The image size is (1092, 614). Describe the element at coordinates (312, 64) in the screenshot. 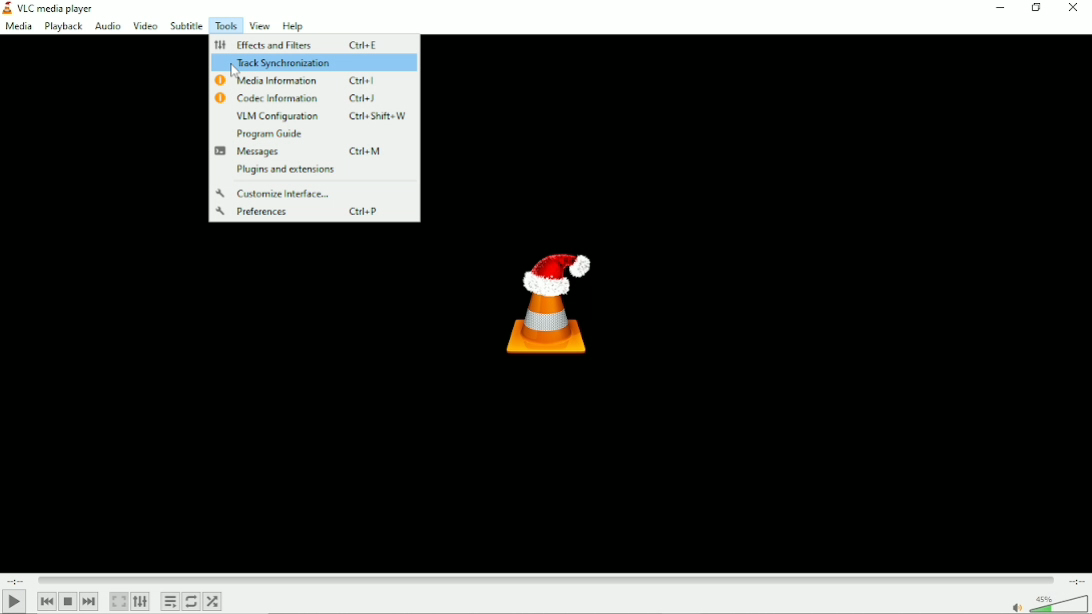

I see `Track synchronization` at that location.